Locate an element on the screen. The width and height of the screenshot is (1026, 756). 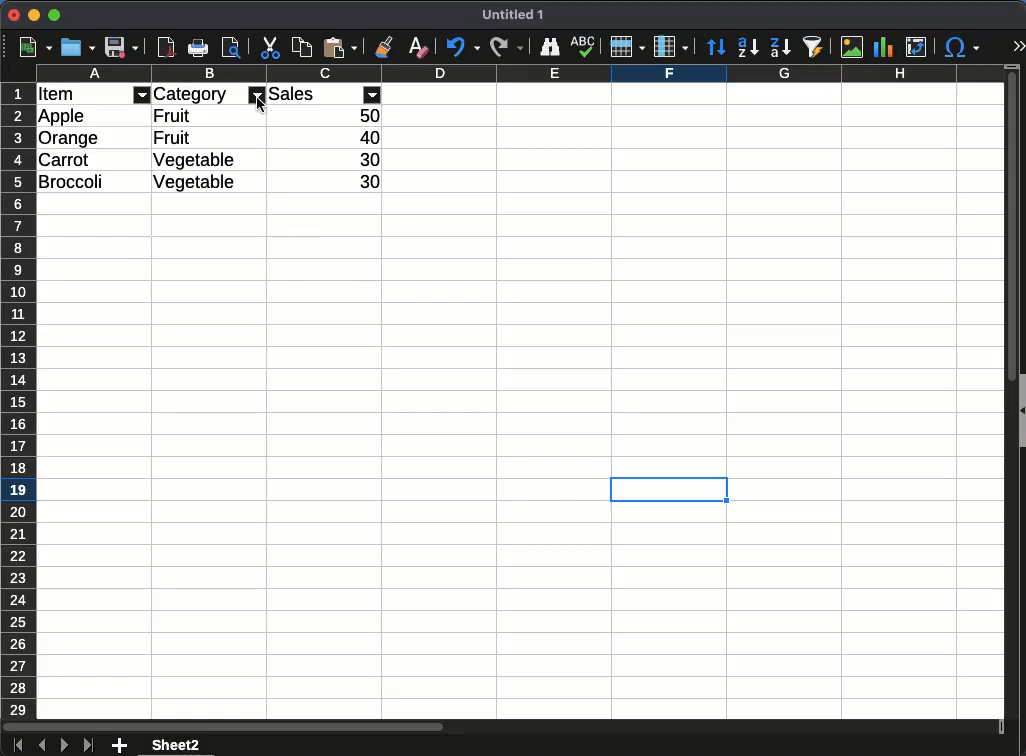
sheet2 is located at coordinates (179, 745).